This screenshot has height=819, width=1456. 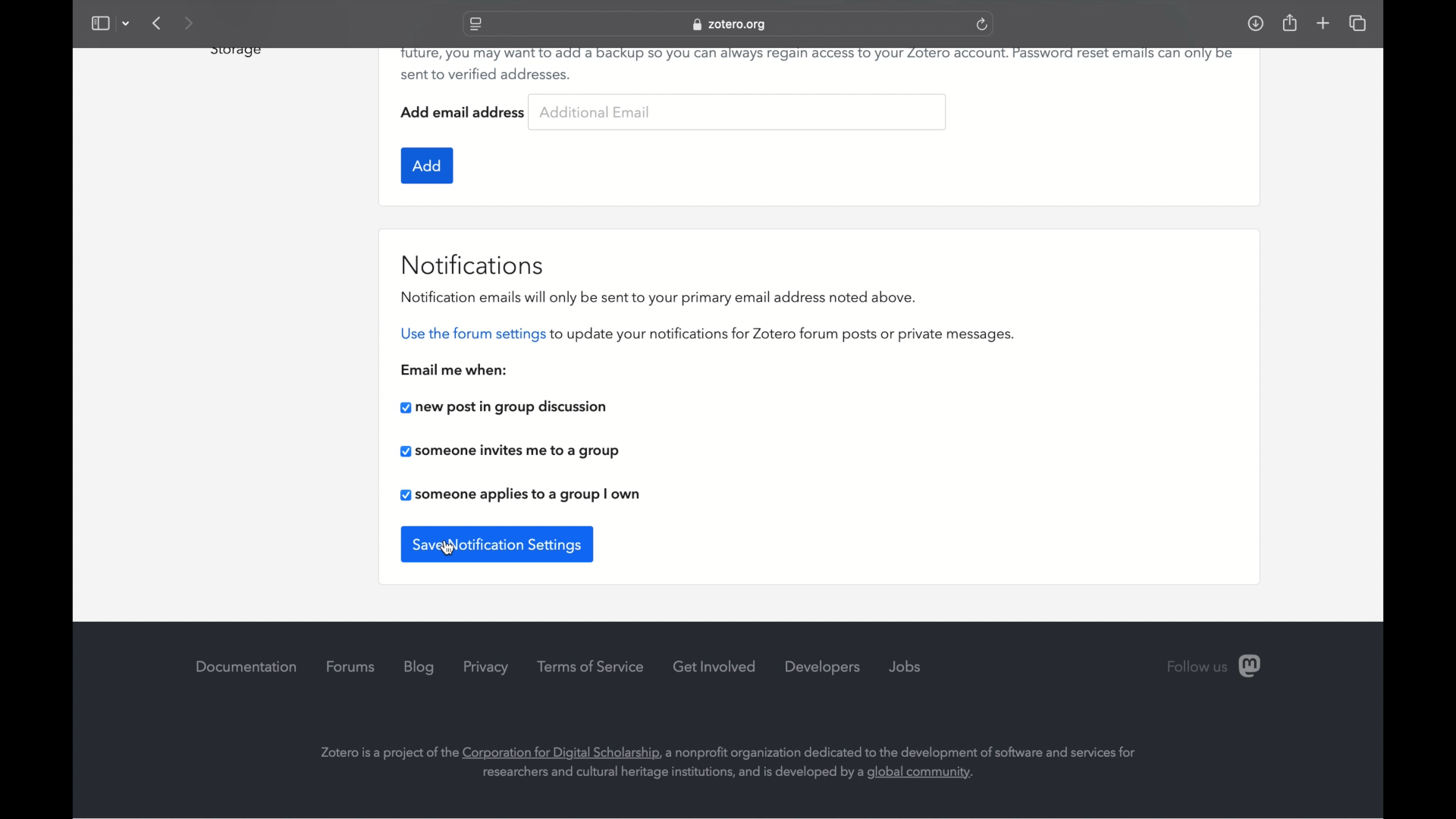 I want to click on new tab, so click(x=1323, y=24).